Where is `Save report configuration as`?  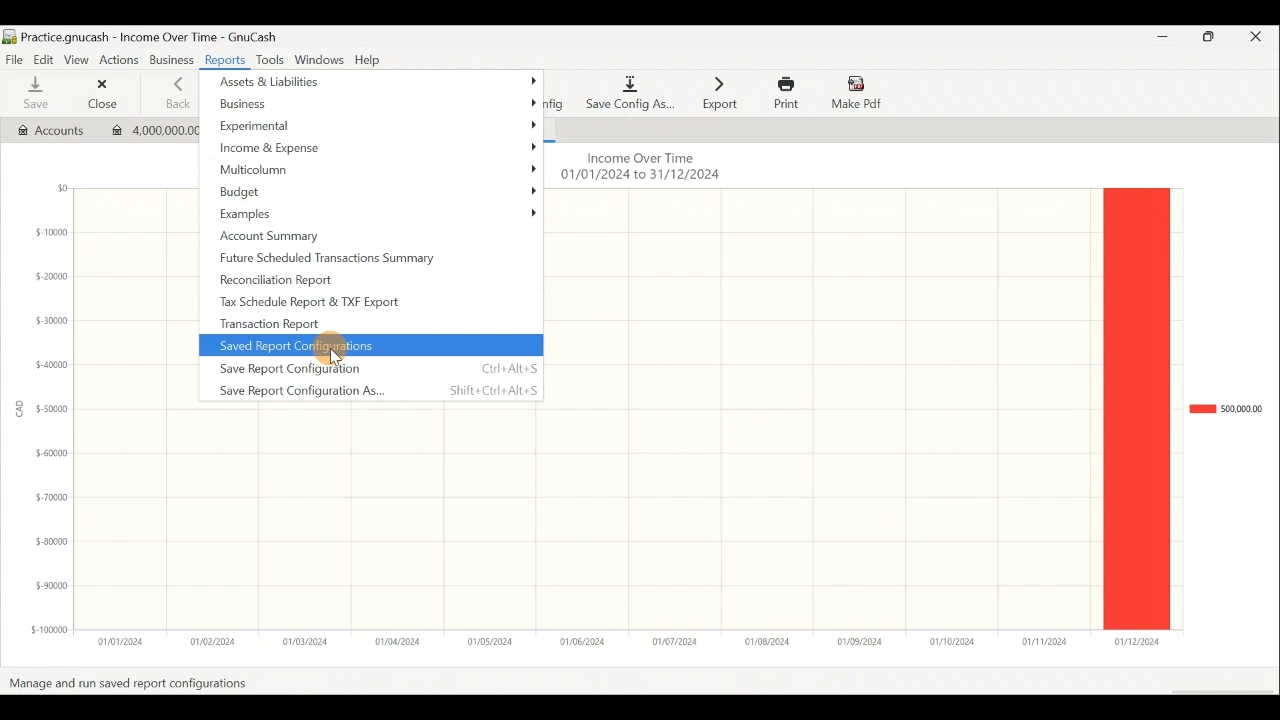
Save report configuration as is located at coordinates (368, 391).